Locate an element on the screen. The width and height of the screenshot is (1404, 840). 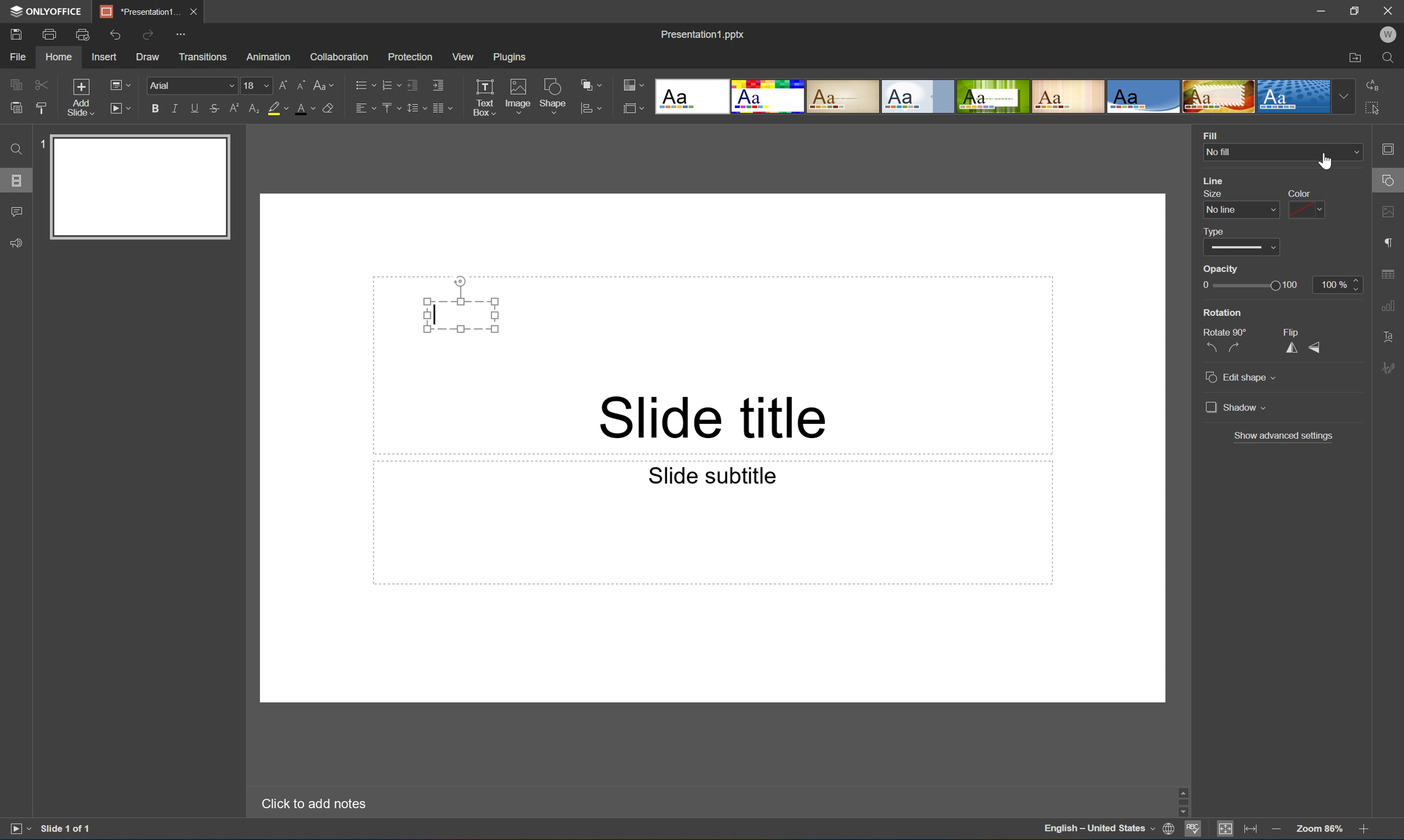
Protection is located at coordinates (409, 56).